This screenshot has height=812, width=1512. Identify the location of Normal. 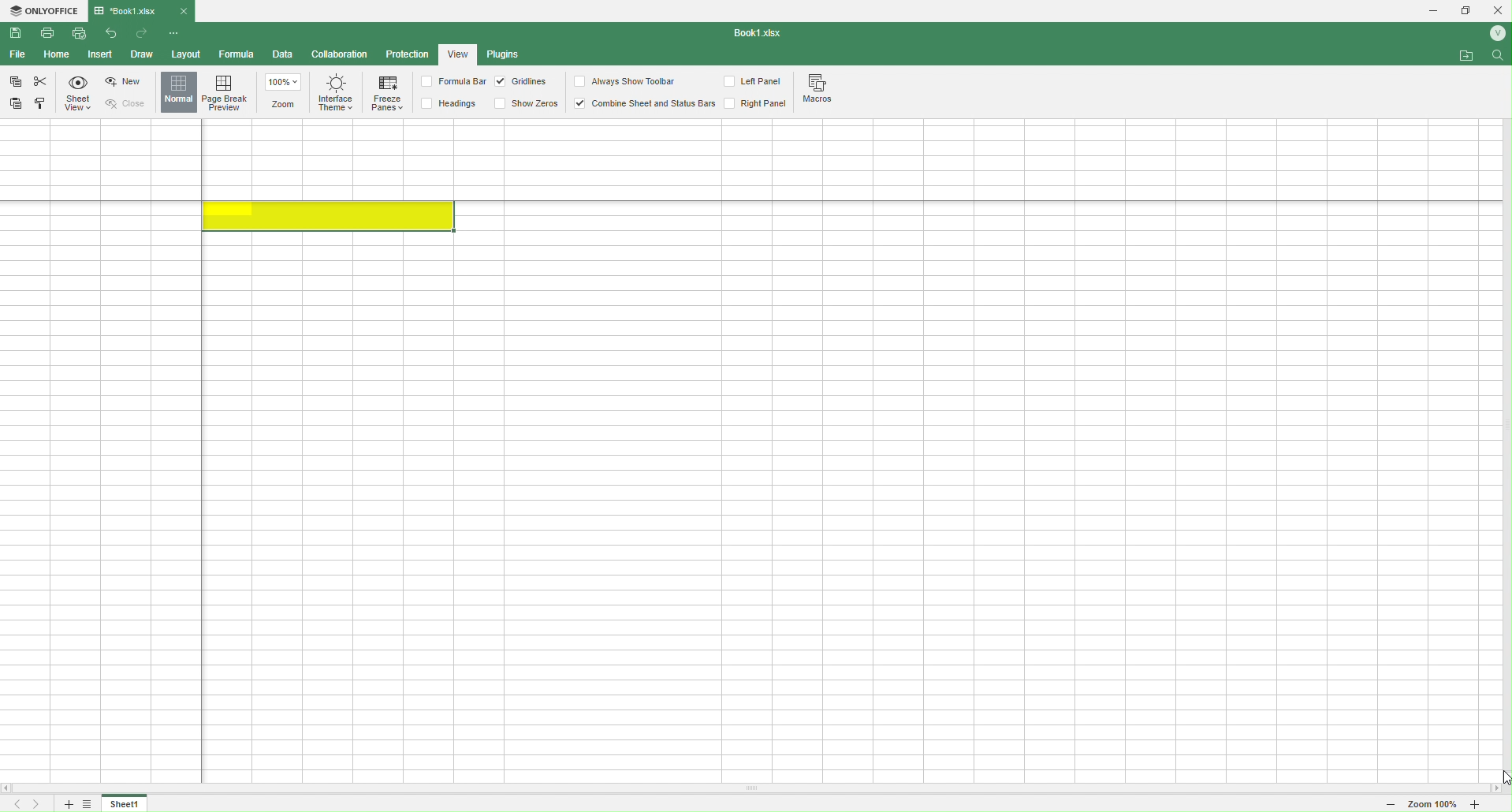
(179, 92).